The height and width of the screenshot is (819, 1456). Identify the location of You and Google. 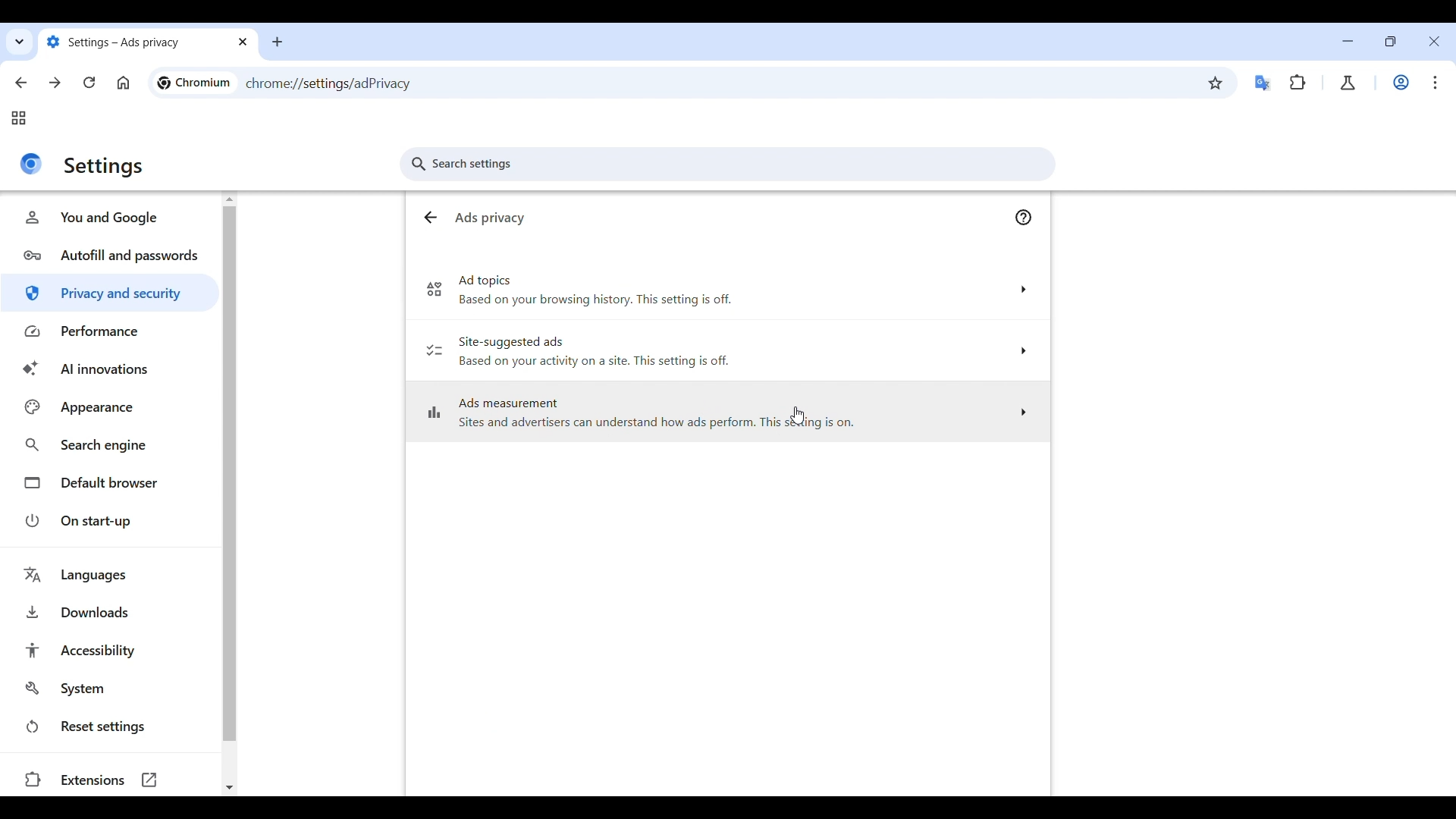
(111, 218).